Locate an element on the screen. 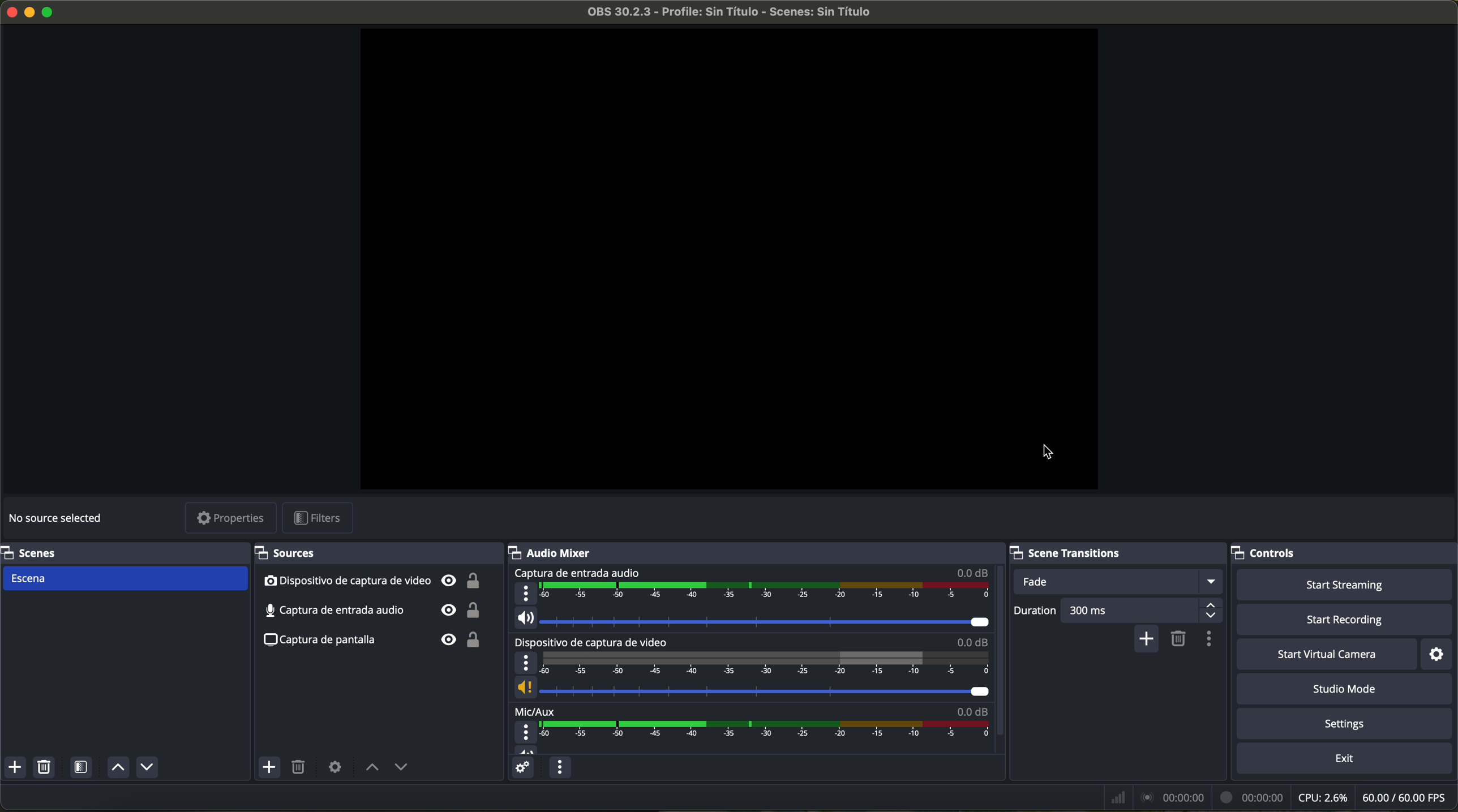 The image size is (1458, 812). file name is located at coordinates (719, 14).